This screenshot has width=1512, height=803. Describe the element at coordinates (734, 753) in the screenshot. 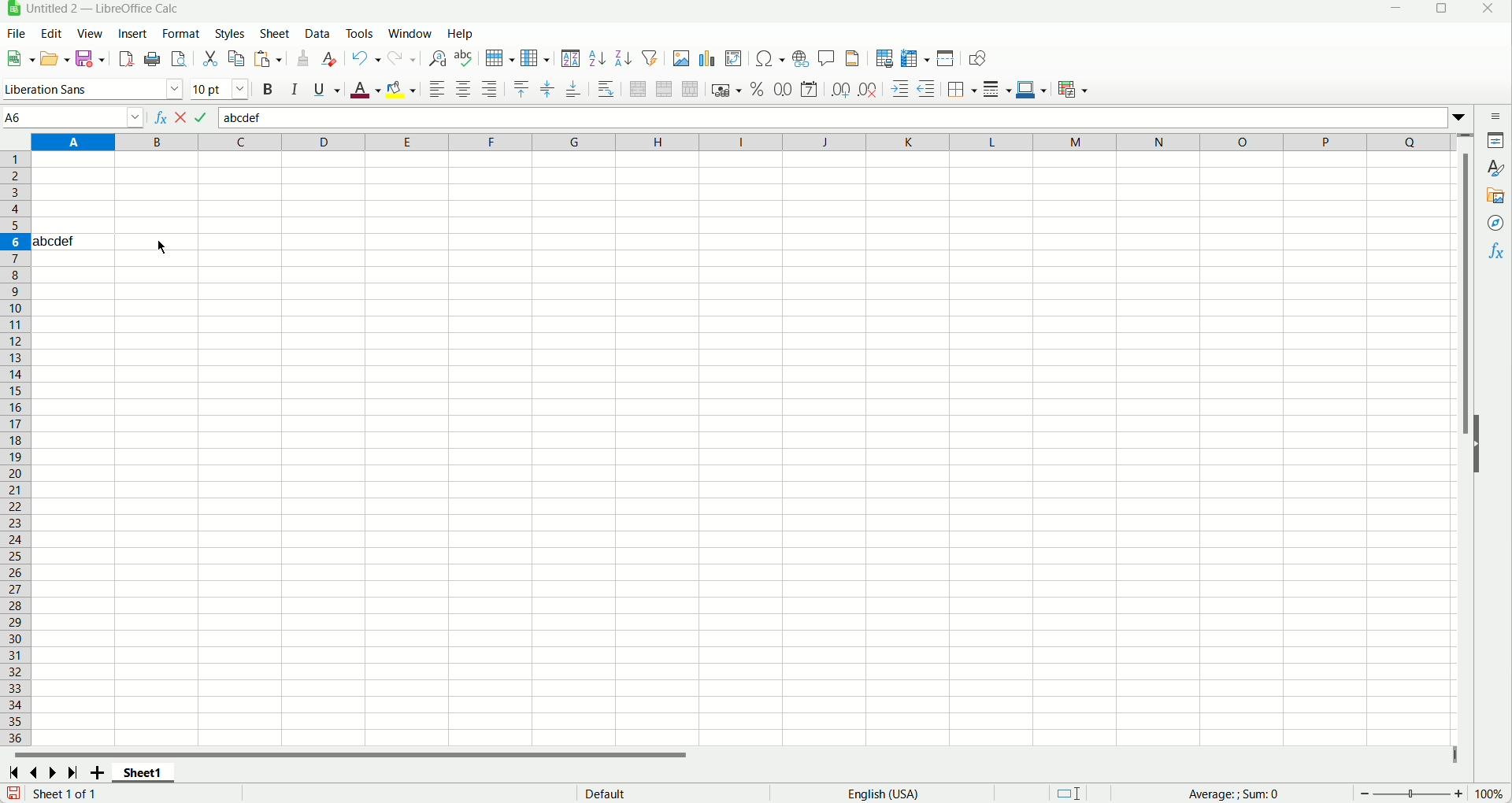

I see `horizontal scroll bar` at that location.